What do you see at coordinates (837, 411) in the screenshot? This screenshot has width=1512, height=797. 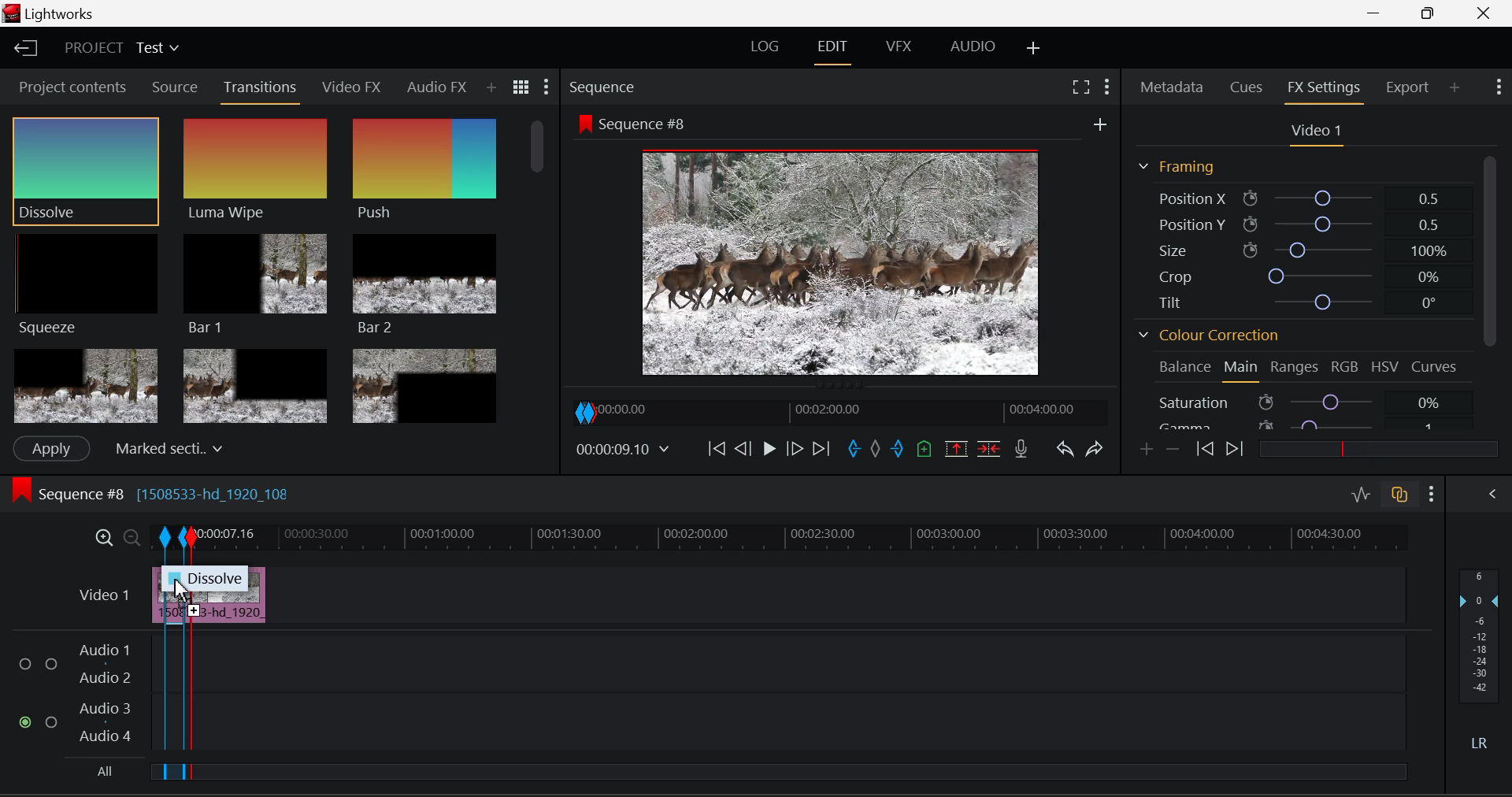 I see `Project Timeline Navigator` at bounding box center [837, 411].